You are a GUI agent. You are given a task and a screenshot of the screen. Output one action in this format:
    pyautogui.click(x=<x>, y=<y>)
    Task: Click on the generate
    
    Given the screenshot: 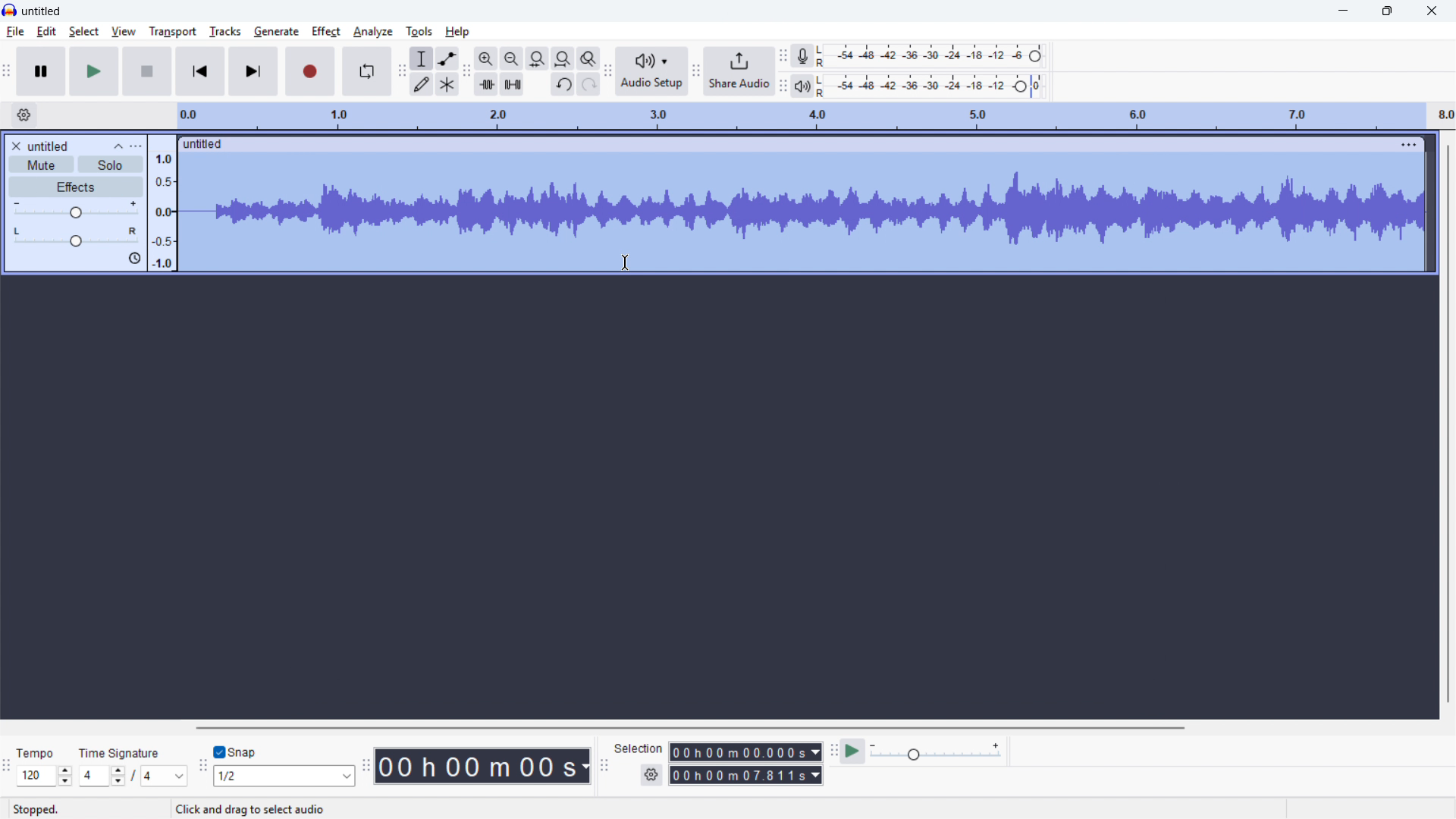 What is the action you would take?
    pyautogui.click(x=276, y=31)
    